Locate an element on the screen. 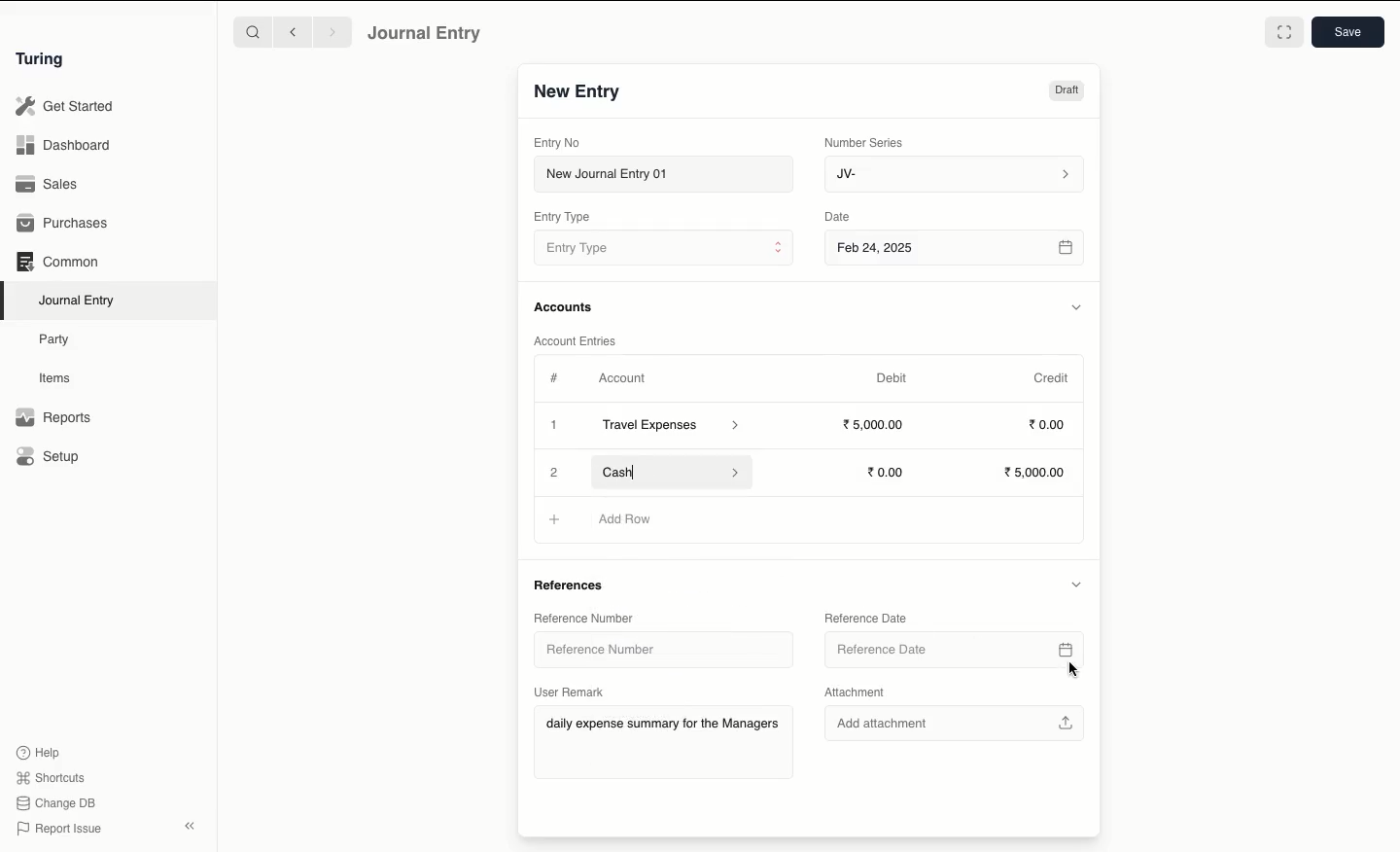 This screenshot has height=852, width=1400. Add is located at coordinates (555, 426).